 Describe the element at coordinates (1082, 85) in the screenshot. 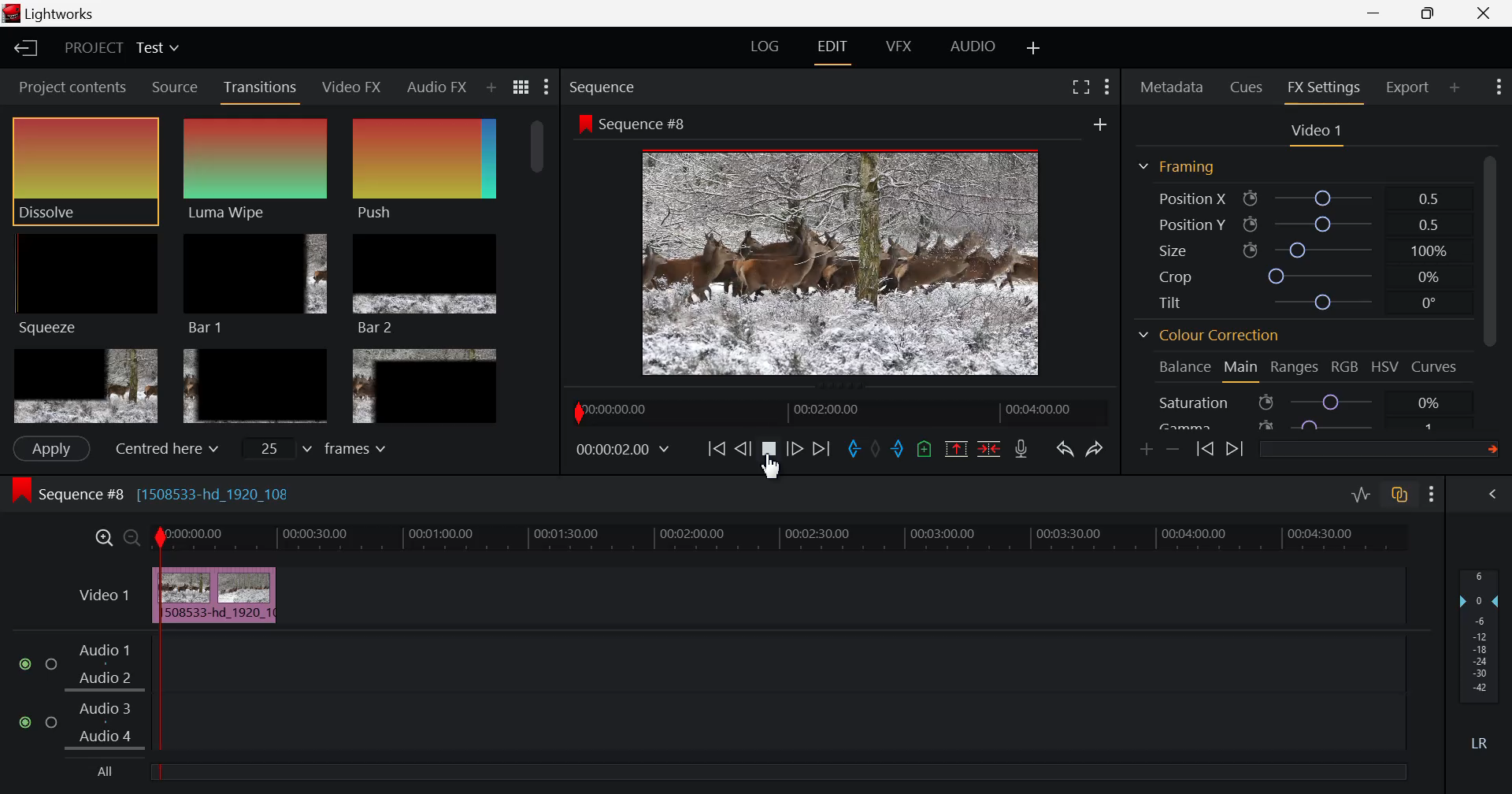

I see `Full Screen` at that location.